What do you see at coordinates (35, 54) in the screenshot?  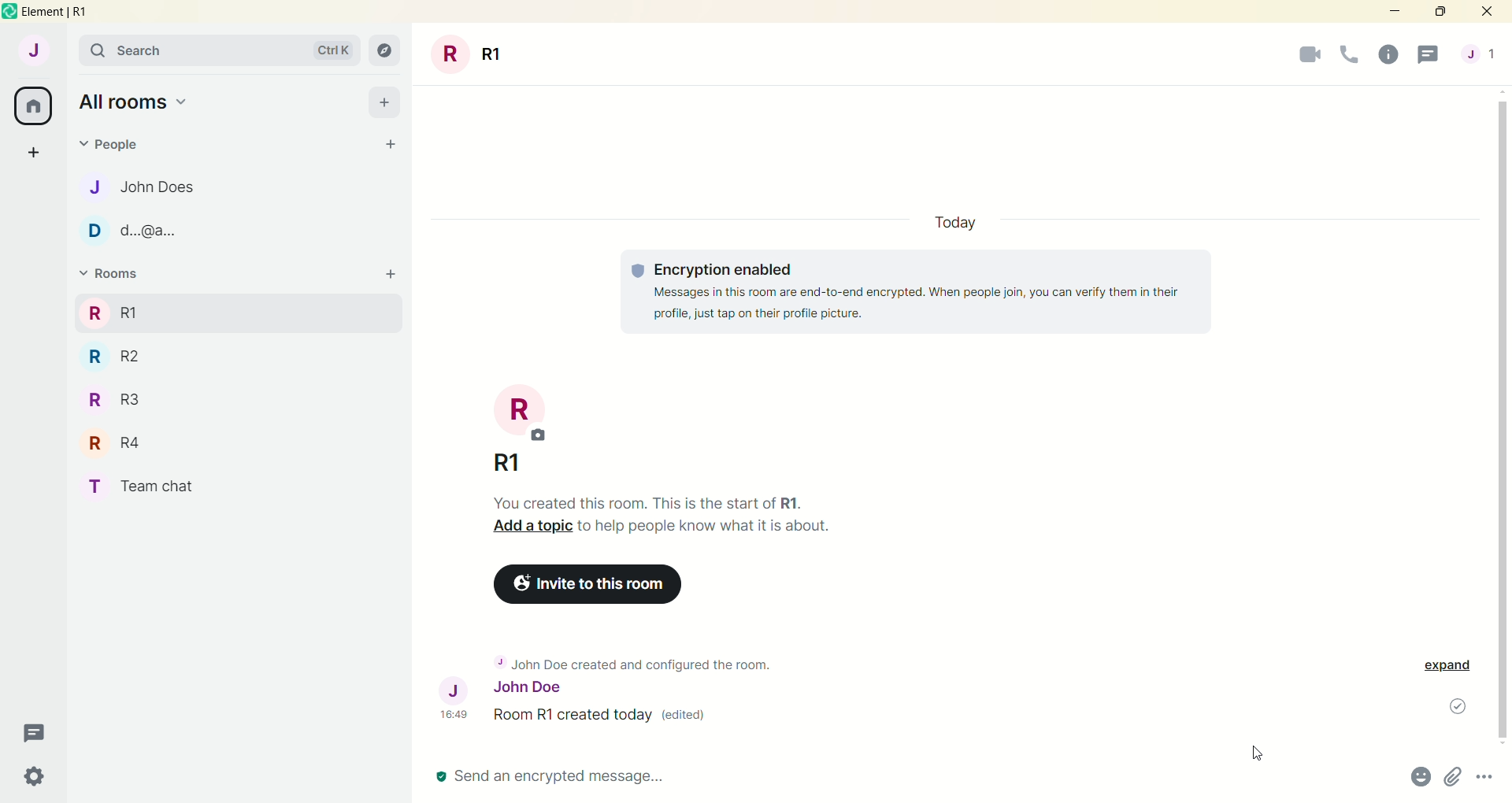 I see `account` at bounding box center [35, 54].